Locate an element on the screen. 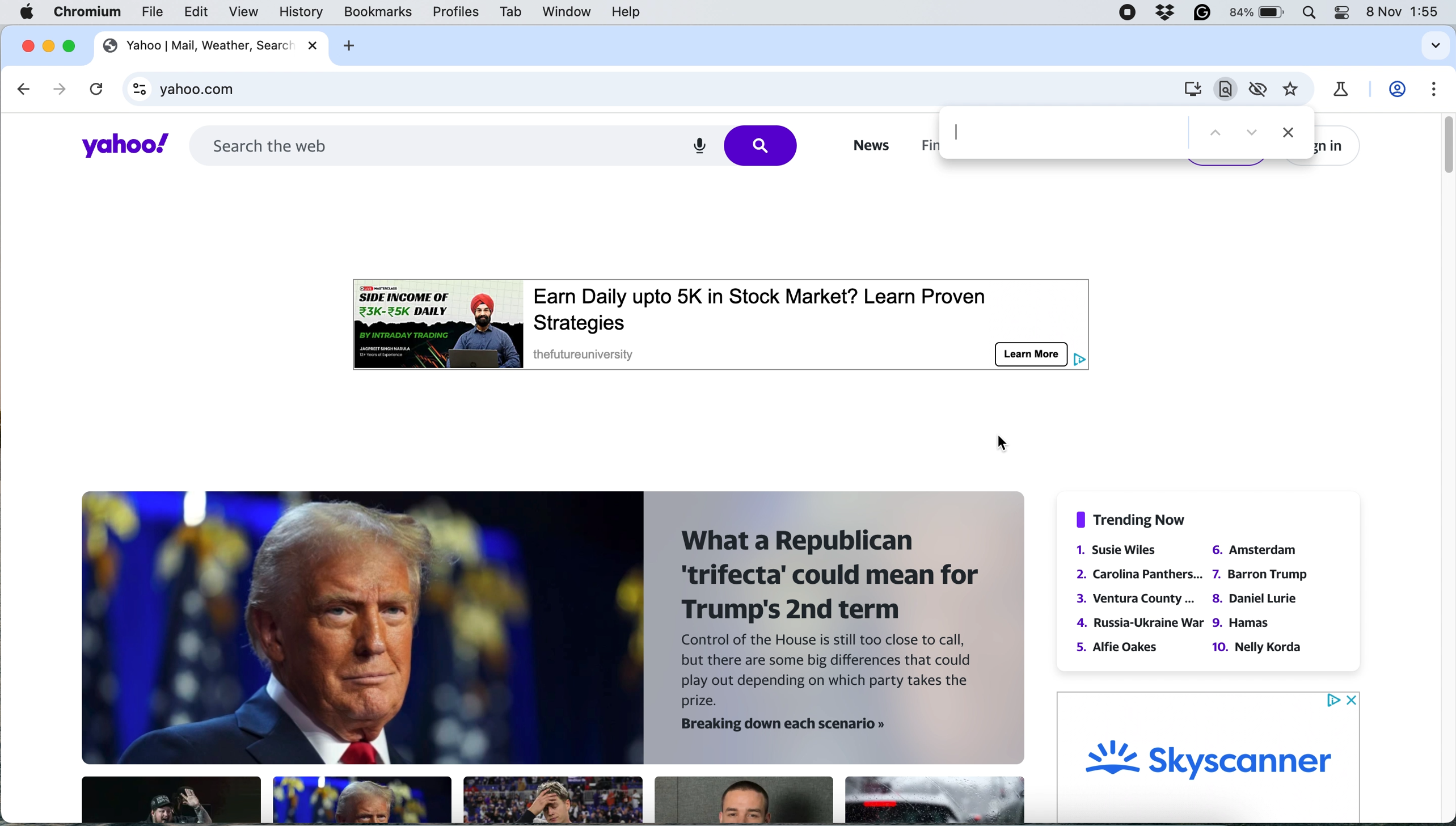  close find bar is located at coordinates (1285, 134).